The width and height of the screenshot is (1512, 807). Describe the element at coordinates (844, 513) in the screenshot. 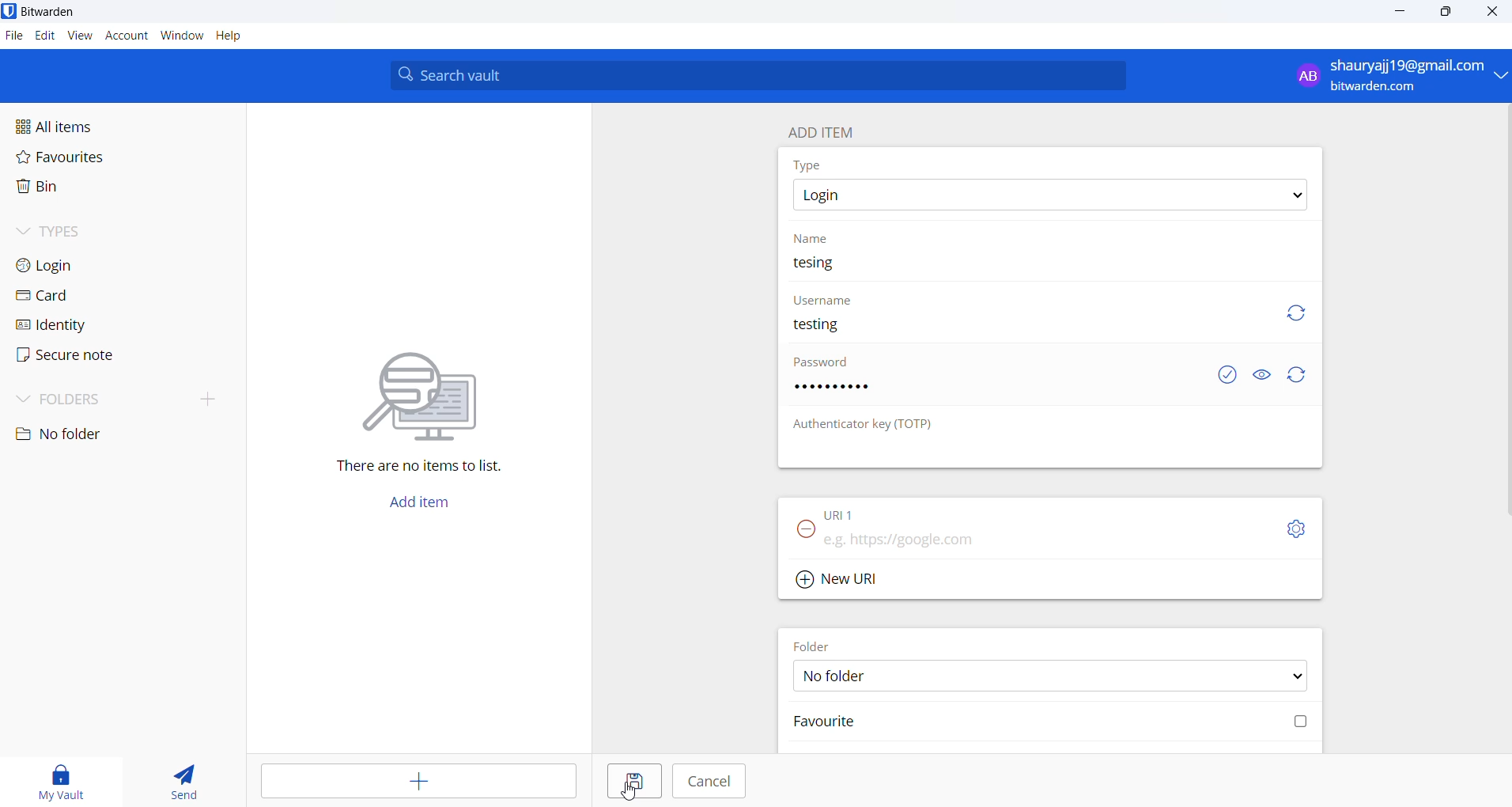

I see `URL heading` at that location.